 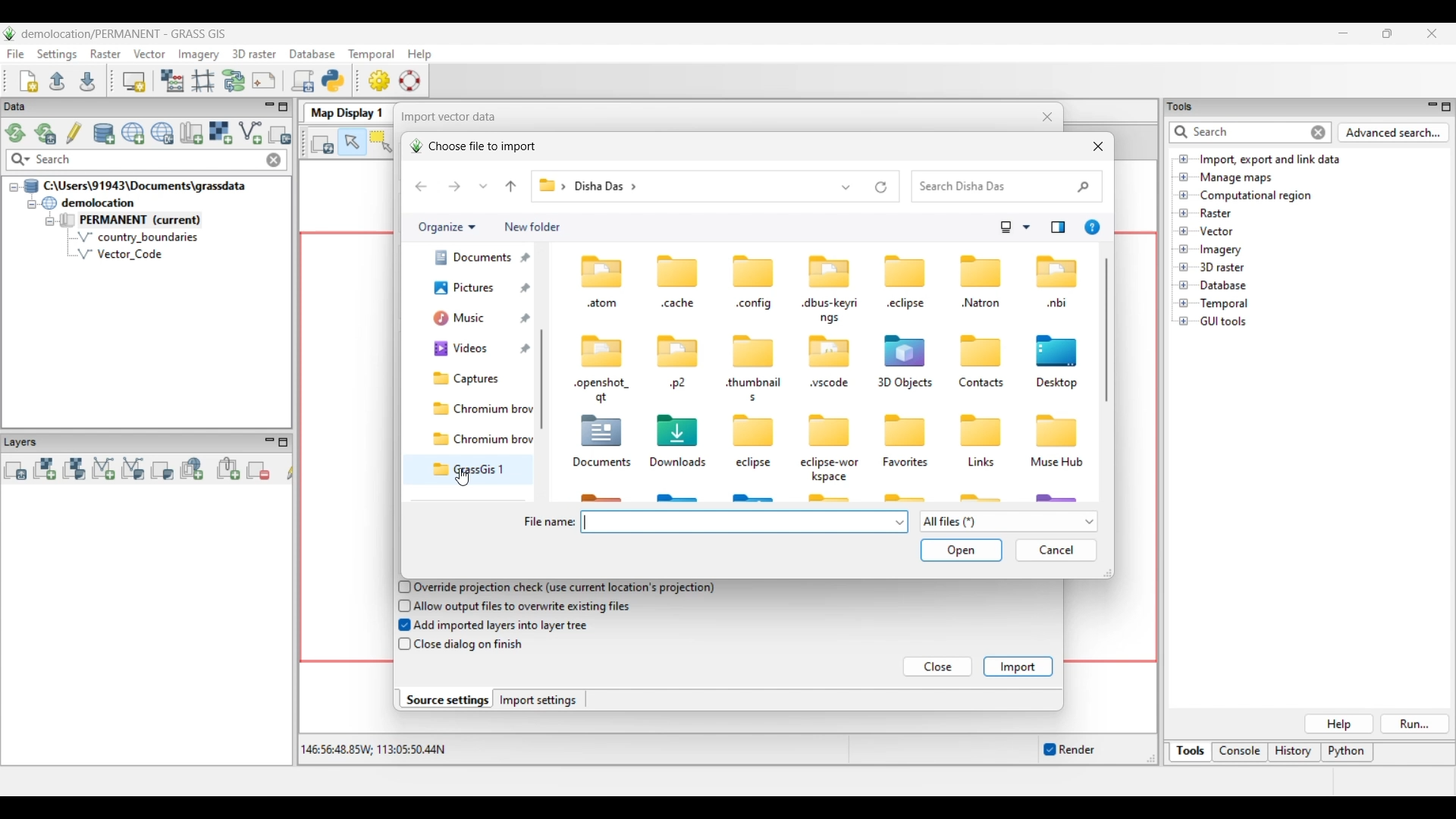 What do you see at coordinates (1216, 213) in the screenshot?
I see `Double click to see files under Raster` at bounding box center [1216, 213].